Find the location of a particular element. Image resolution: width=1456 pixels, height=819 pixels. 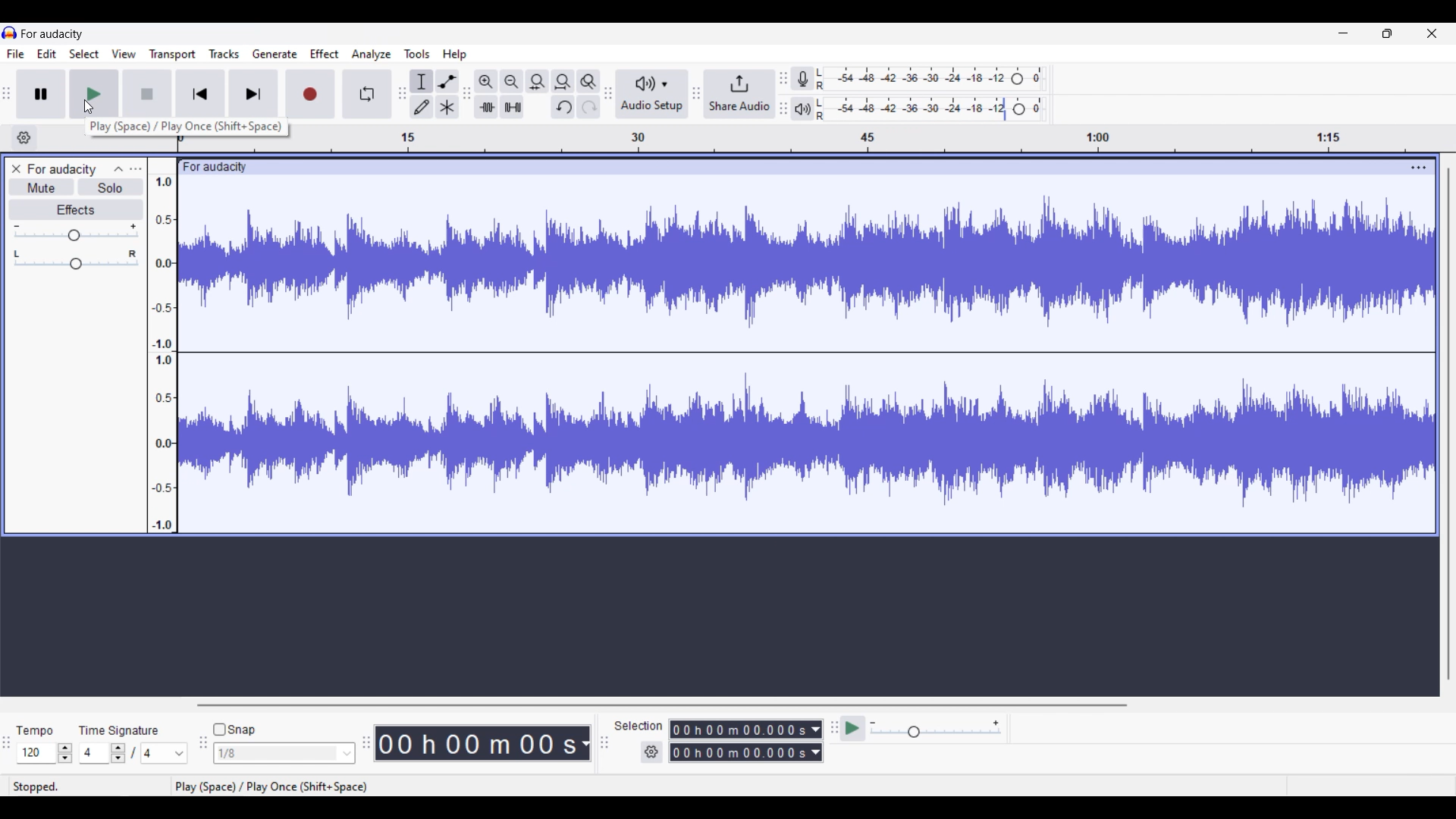

Timeline settings is located at coordinates (24, 138).